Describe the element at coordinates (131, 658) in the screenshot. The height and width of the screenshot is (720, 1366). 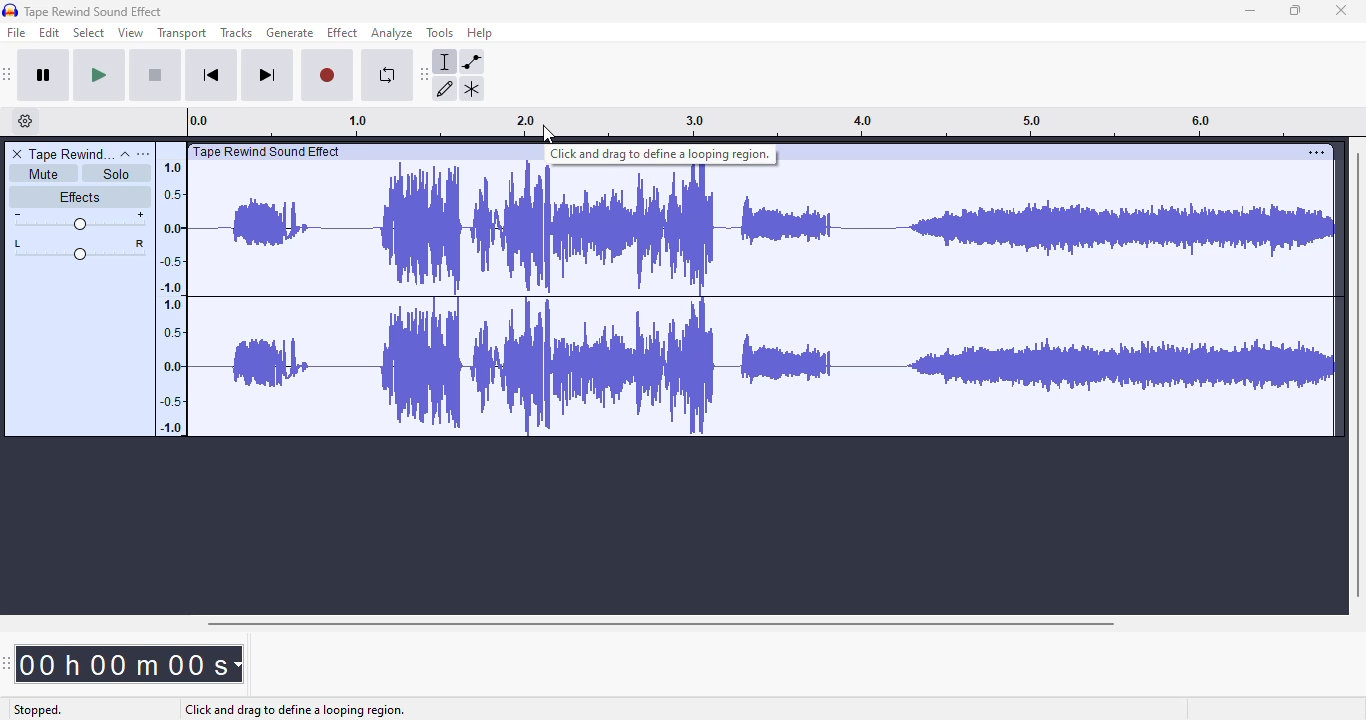
I see `00h 00 m 00 s` at that location.